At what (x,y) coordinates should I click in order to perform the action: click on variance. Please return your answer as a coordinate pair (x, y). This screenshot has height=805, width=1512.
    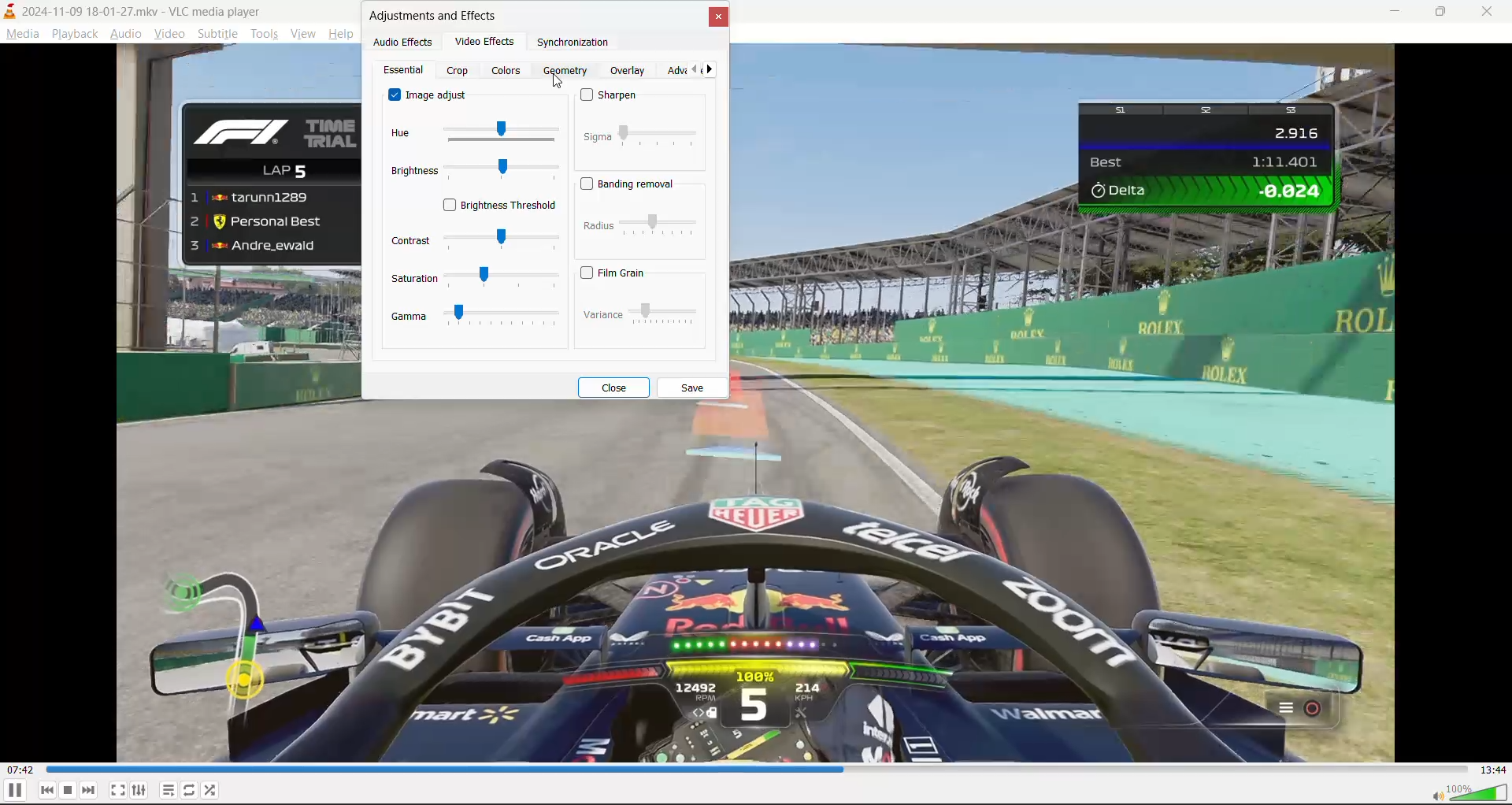
    Looking at the image, I should click on (640, 311).